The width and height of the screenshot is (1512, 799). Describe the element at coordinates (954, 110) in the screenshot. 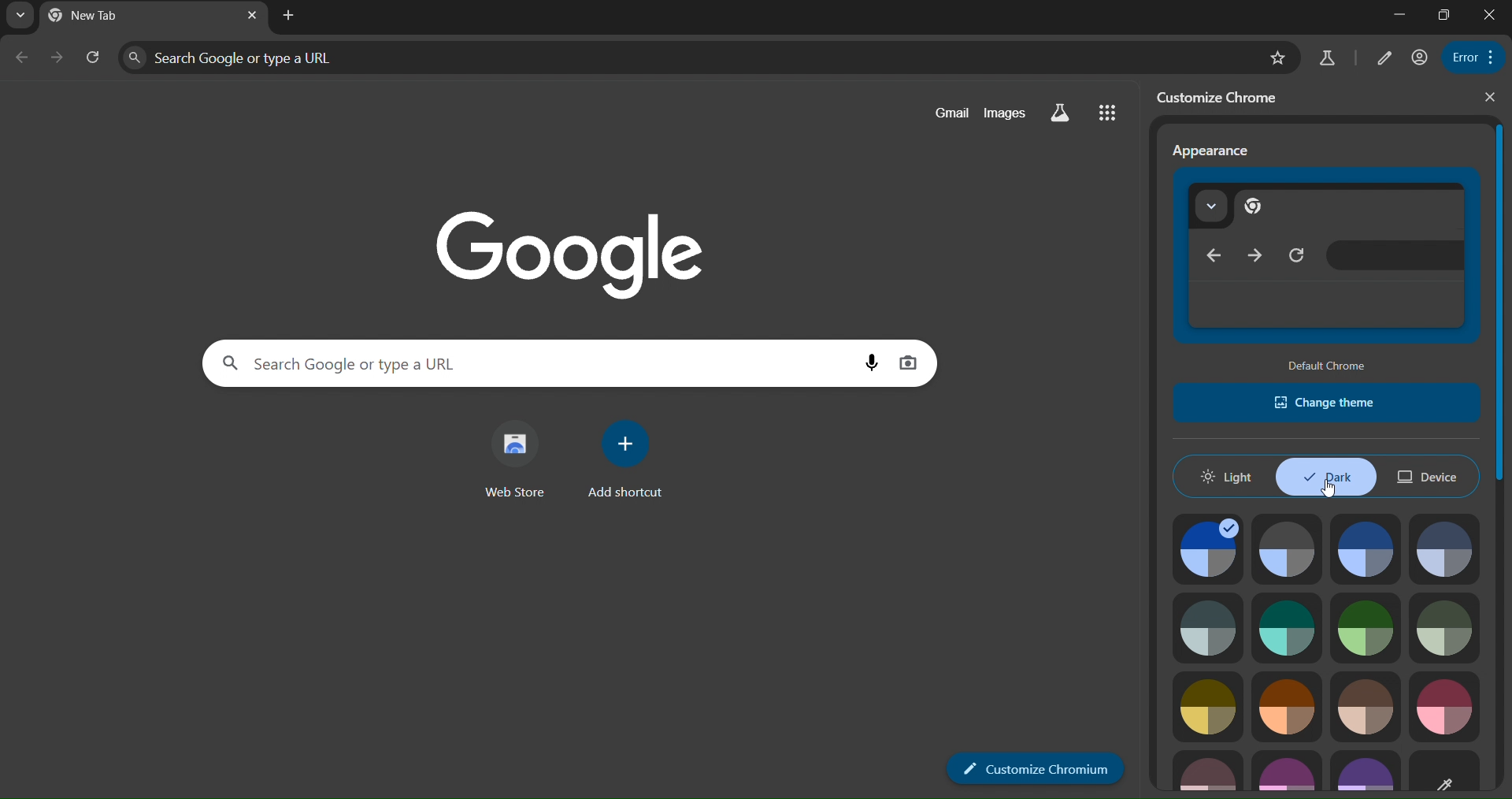

I see `gmail` at that location.